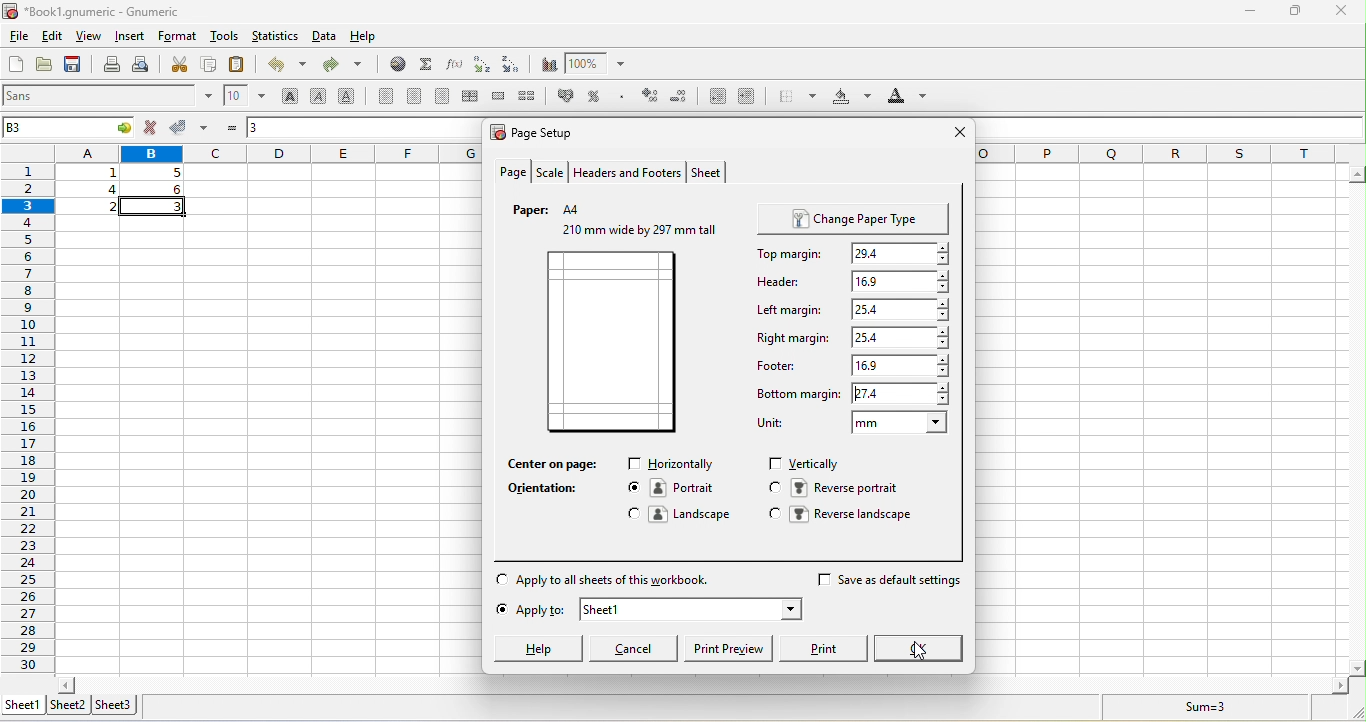 The height and width of the screenshot is (722, 1366). I want to click on page set up, so click(540, 131).